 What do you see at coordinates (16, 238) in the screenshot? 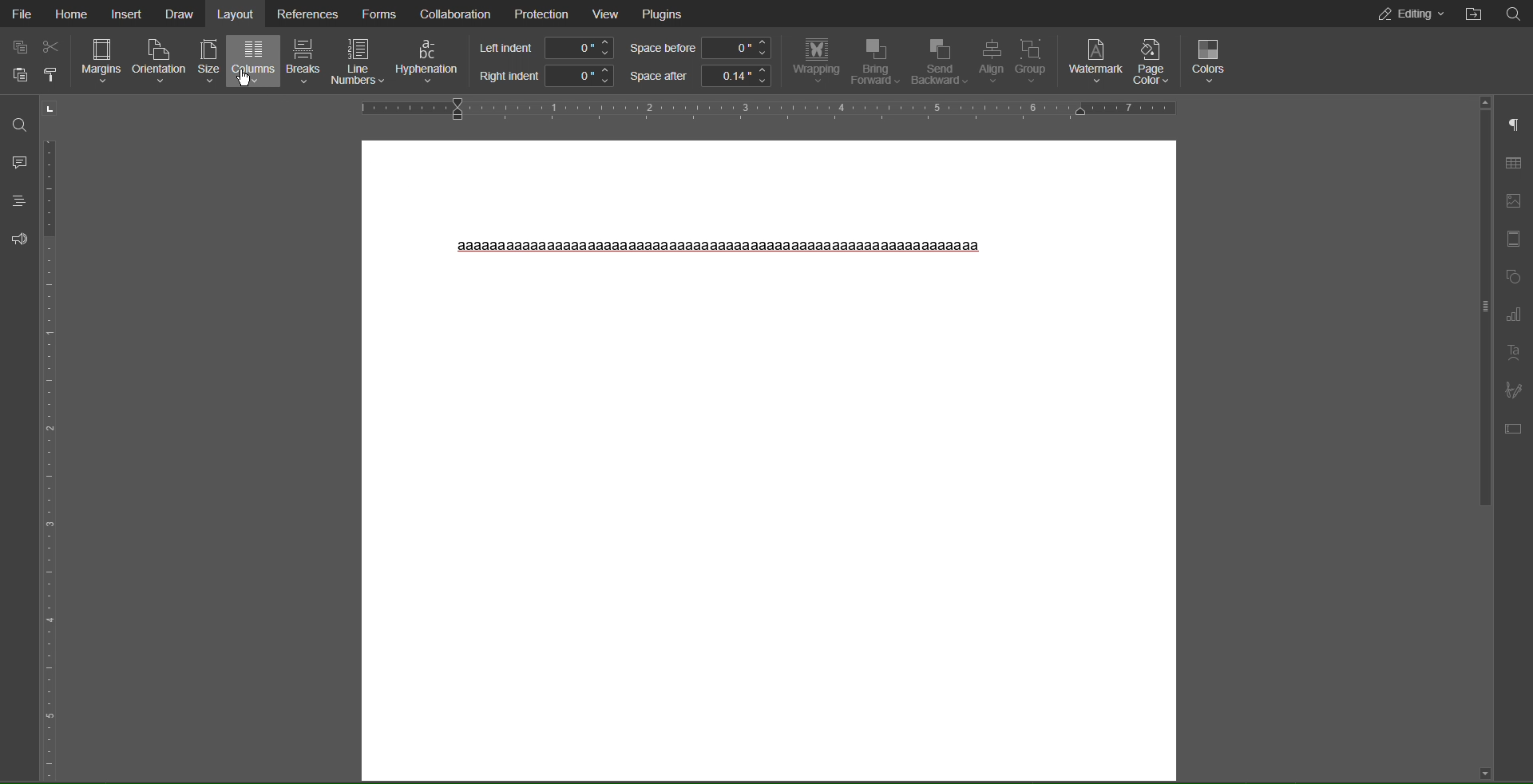
I see `Feedback and Support` at bounding box center [16, 238].